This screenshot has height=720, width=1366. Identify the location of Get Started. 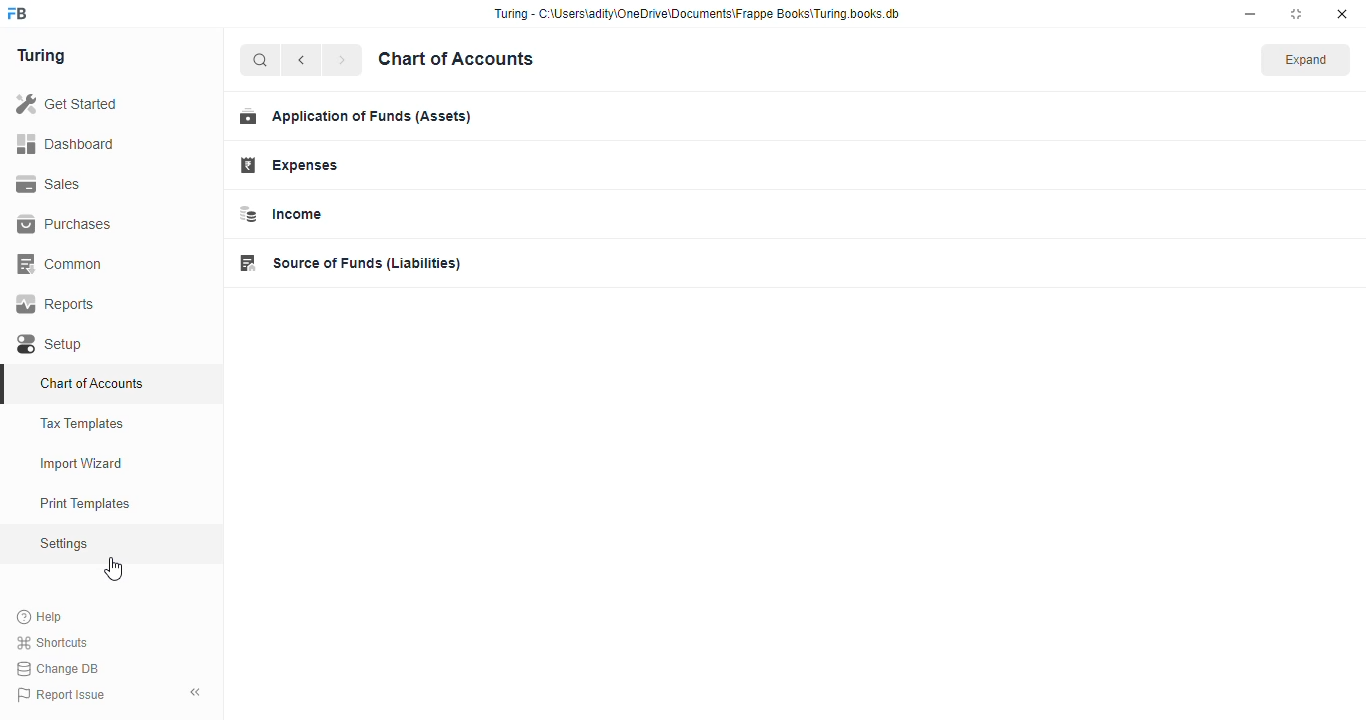
(91, 102).